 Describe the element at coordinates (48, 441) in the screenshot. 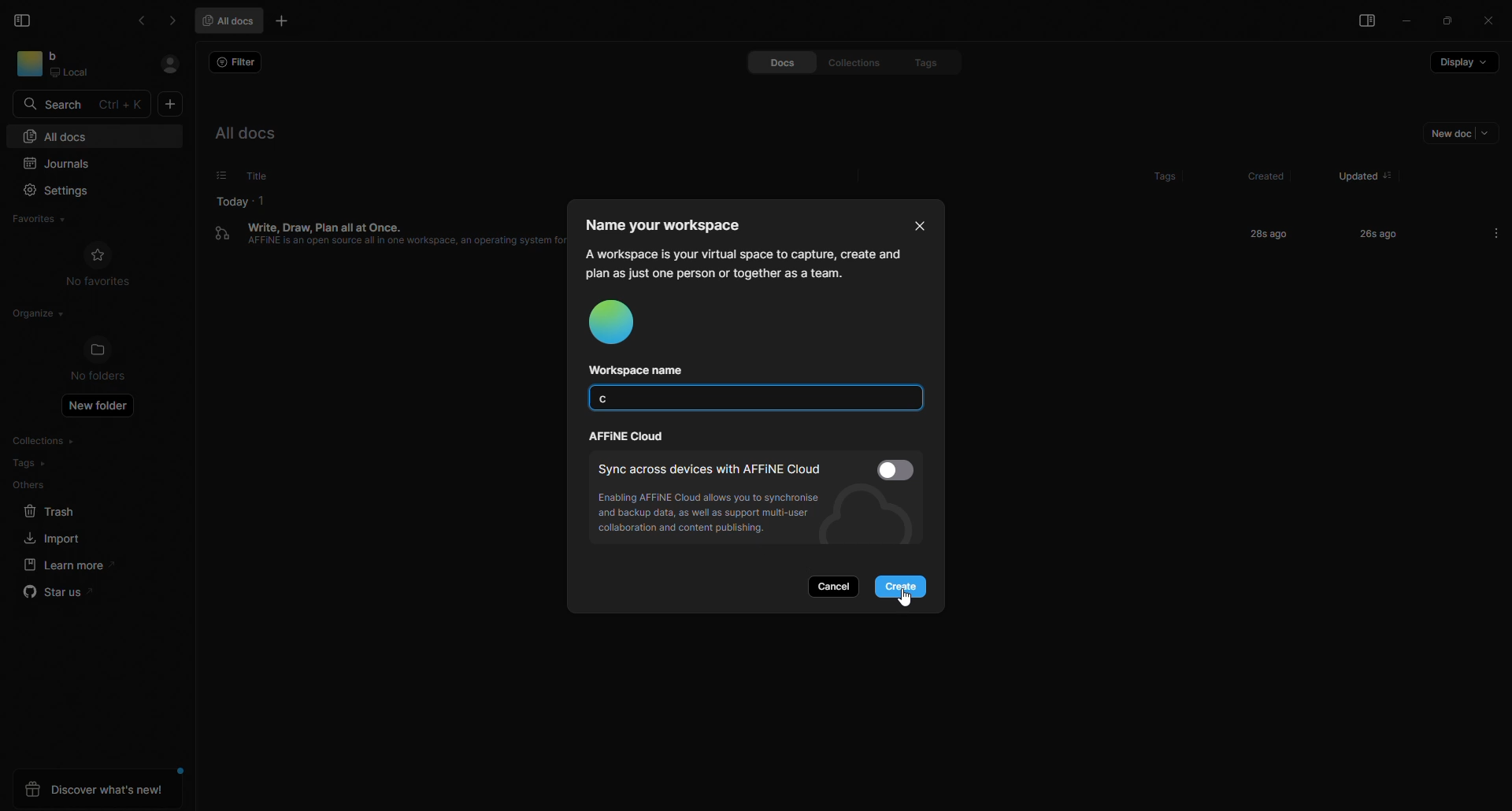

I see `collections` at that location.